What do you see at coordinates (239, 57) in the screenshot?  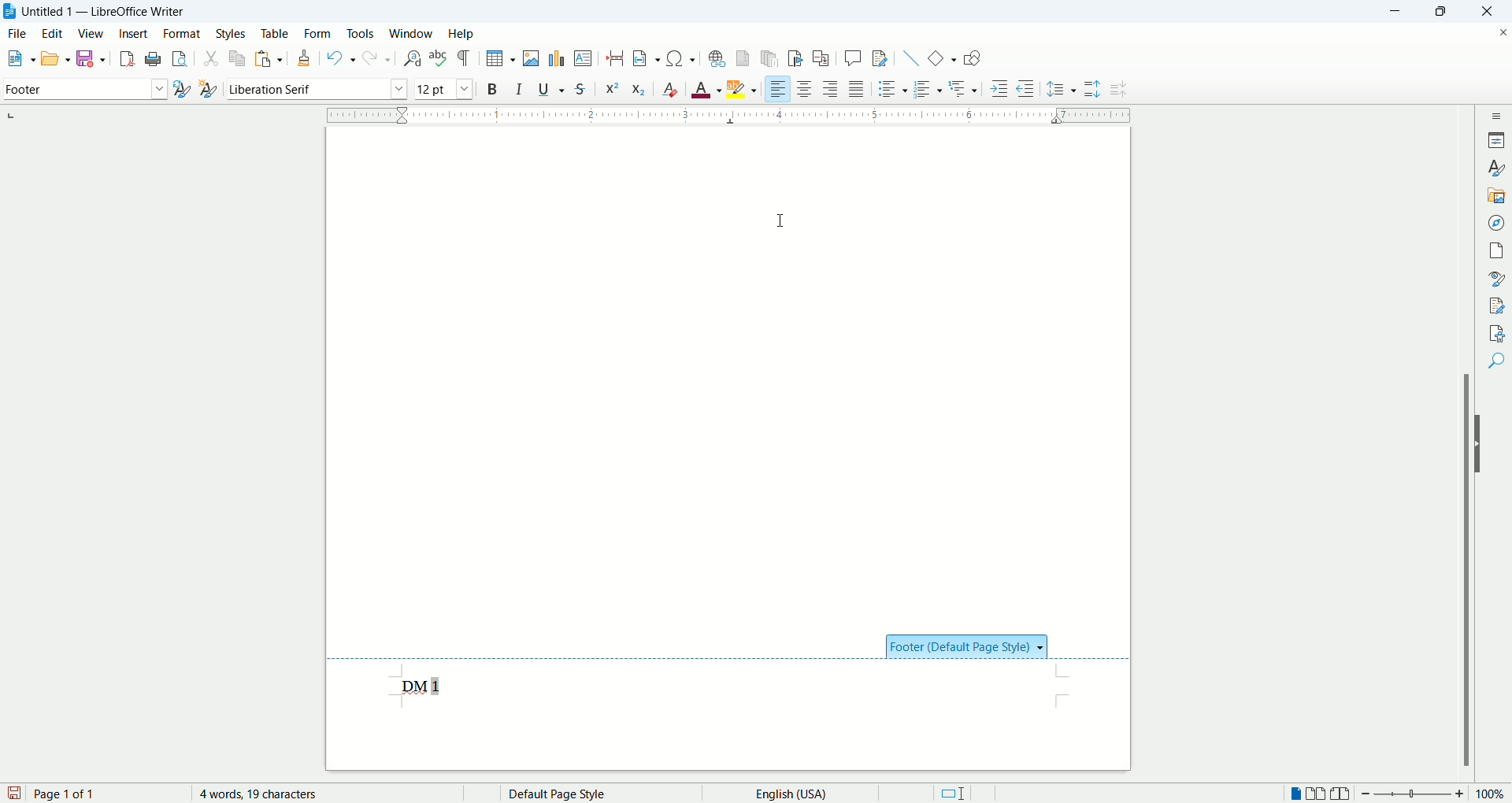 I see `copy` at bounding box center [239, 57].